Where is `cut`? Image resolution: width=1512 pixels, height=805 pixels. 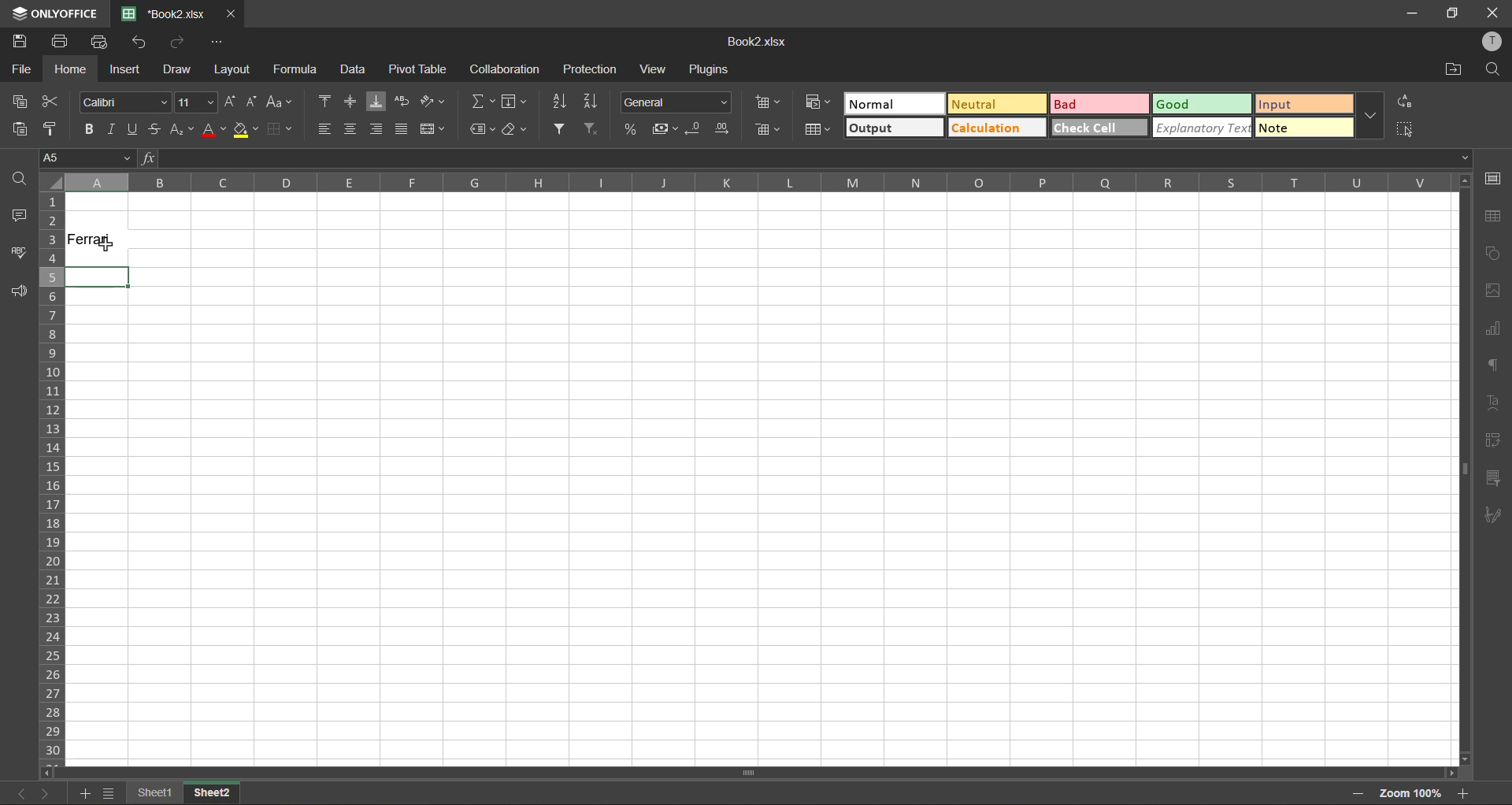 cut is located at coordinates (54, 102).